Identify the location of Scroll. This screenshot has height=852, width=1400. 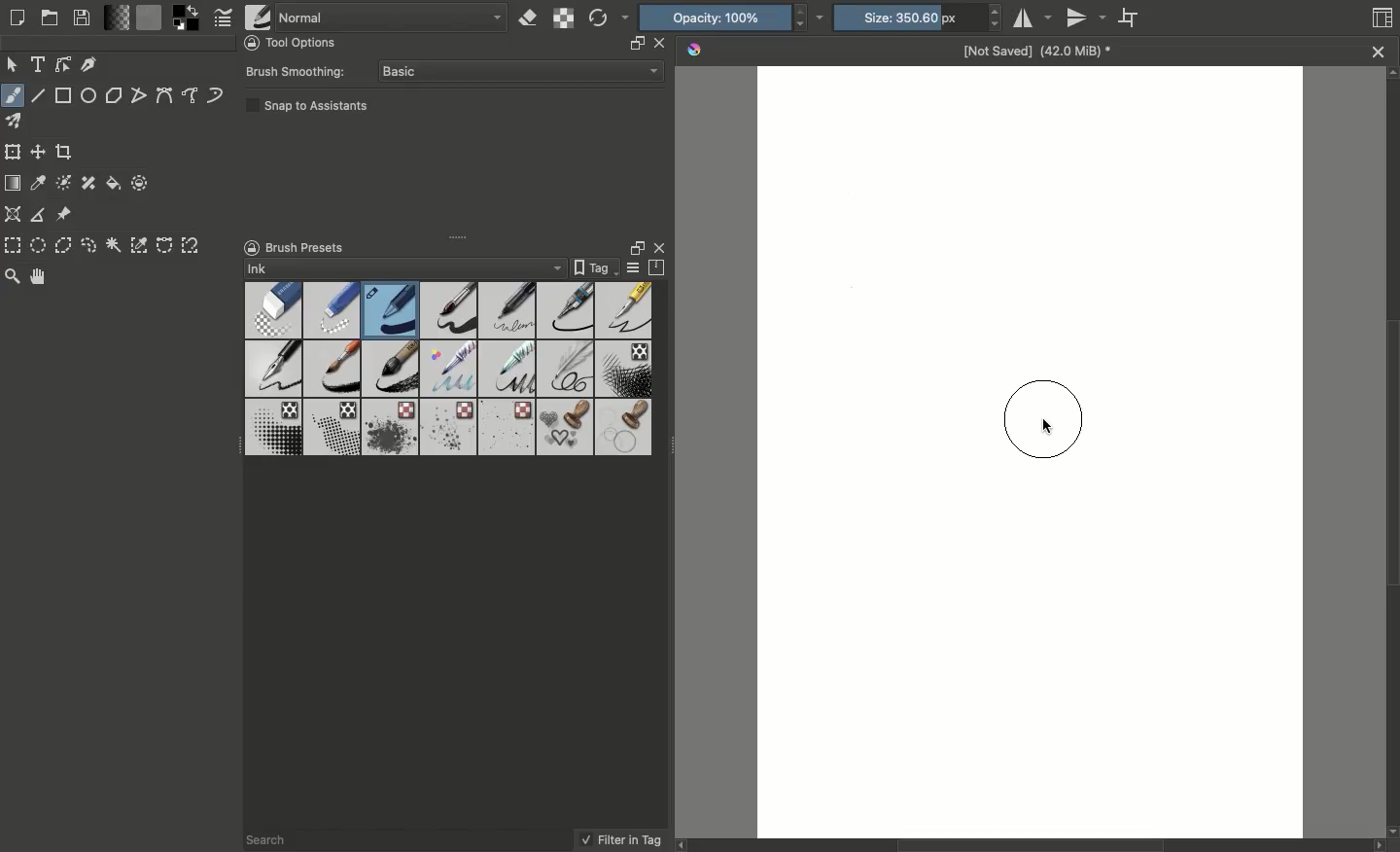
(1391, 452).